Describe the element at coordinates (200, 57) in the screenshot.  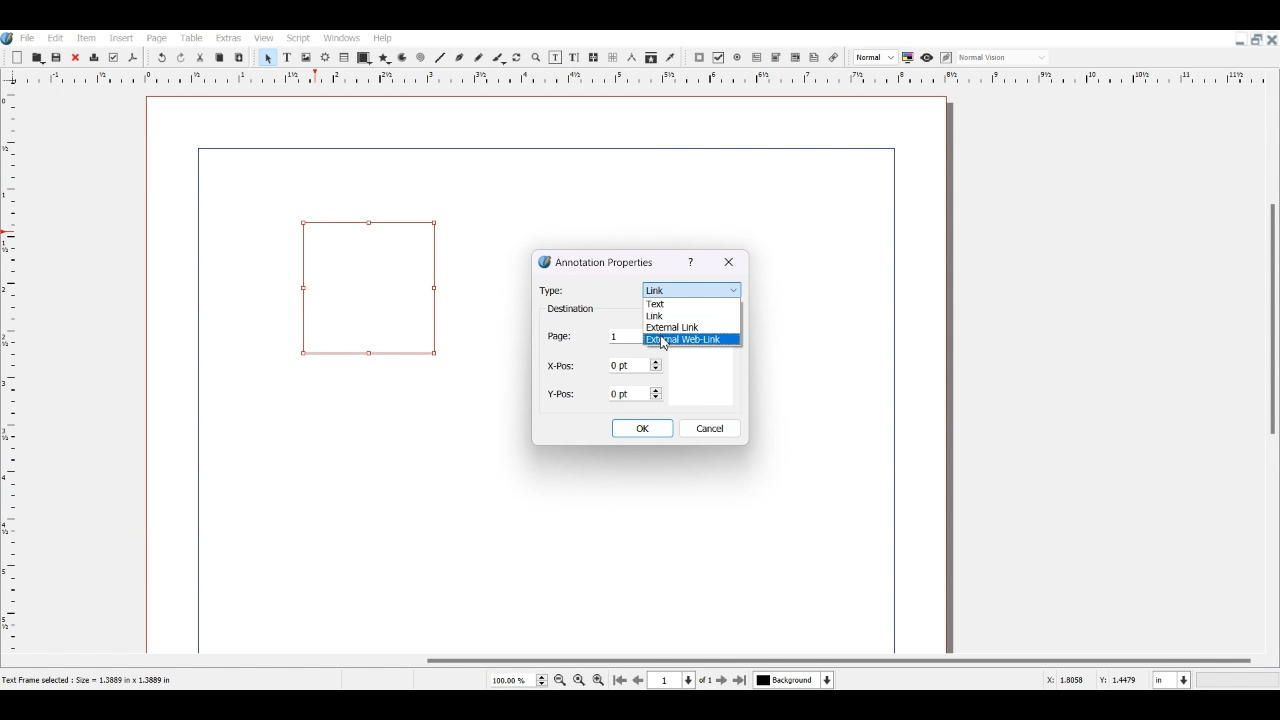
I see `Cut` at that location.